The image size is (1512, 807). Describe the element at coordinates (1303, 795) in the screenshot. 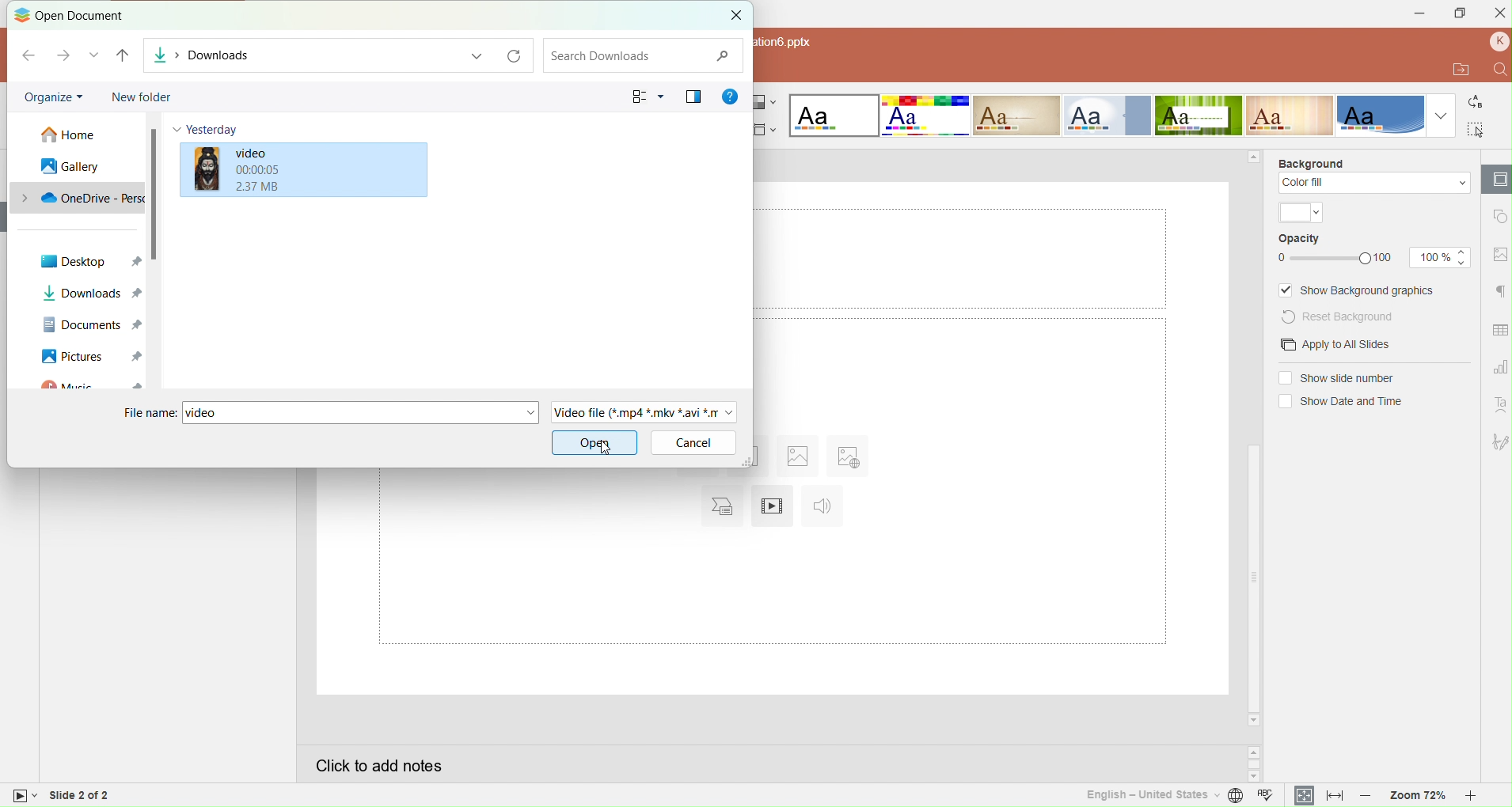

I see `Fit to slide` at that location.